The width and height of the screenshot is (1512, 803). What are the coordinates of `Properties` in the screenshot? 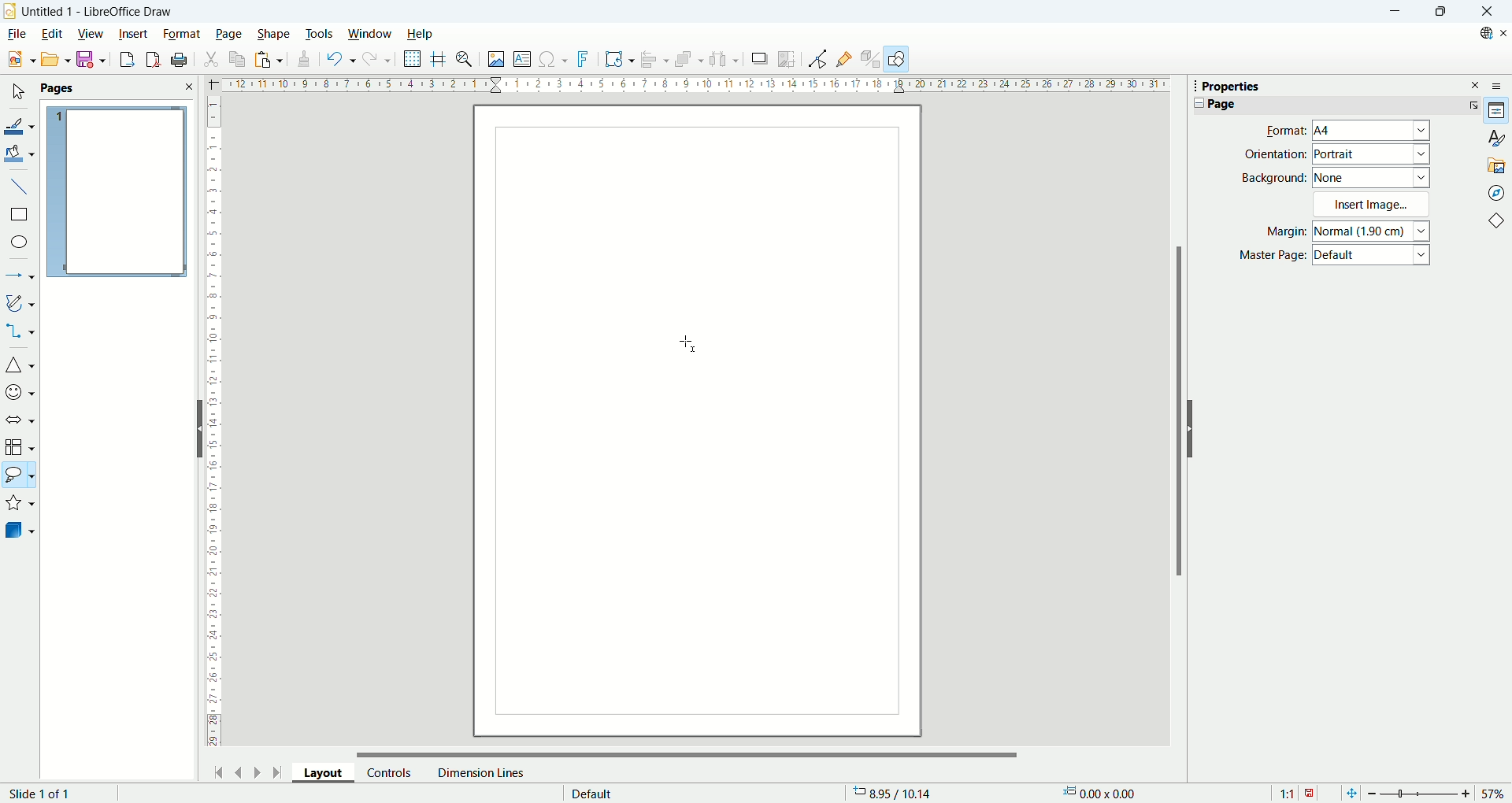 It's located at (1497, 111).